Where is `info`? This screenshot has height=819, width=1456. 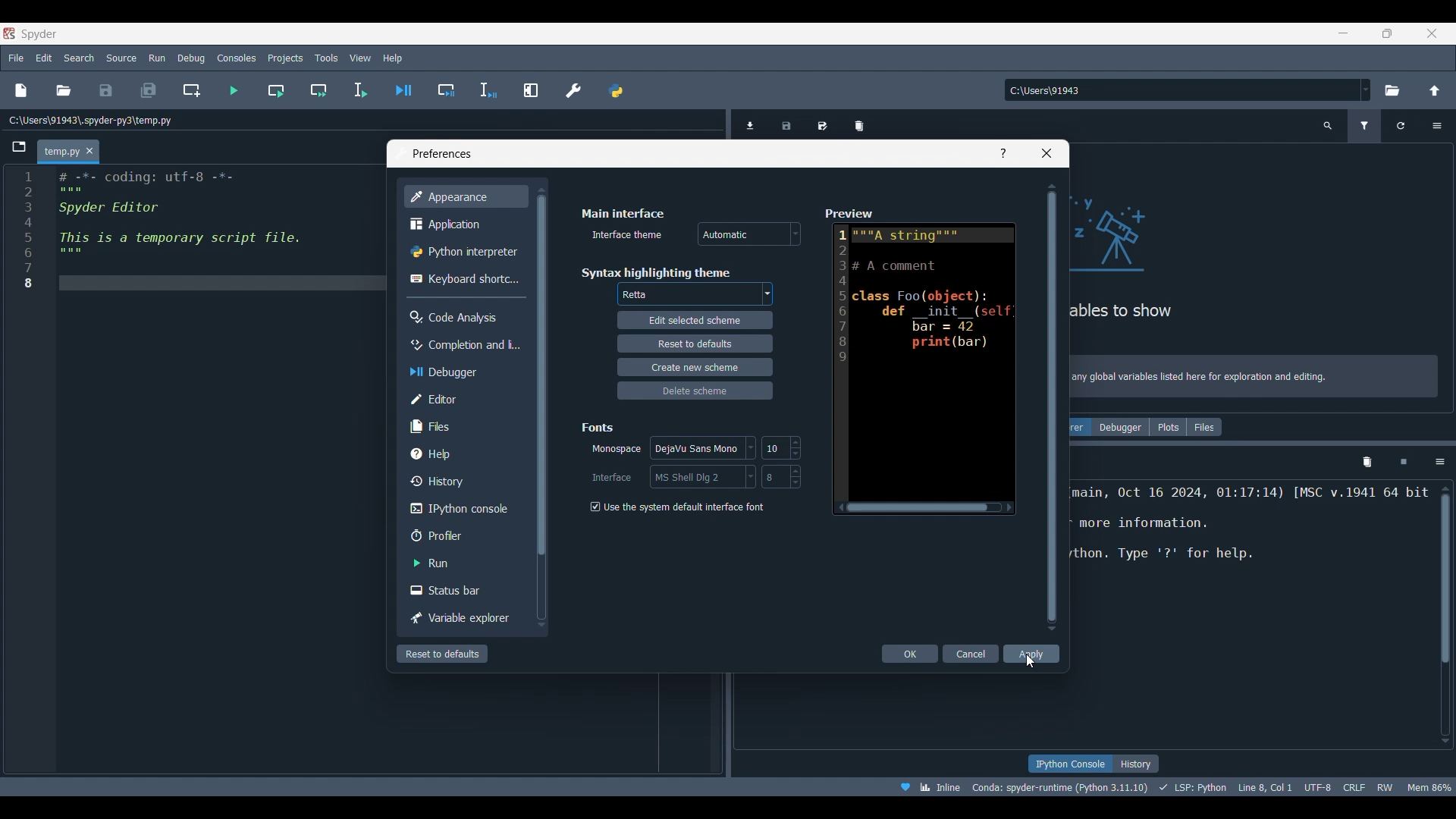 info is located at coordinates (1256, 378).